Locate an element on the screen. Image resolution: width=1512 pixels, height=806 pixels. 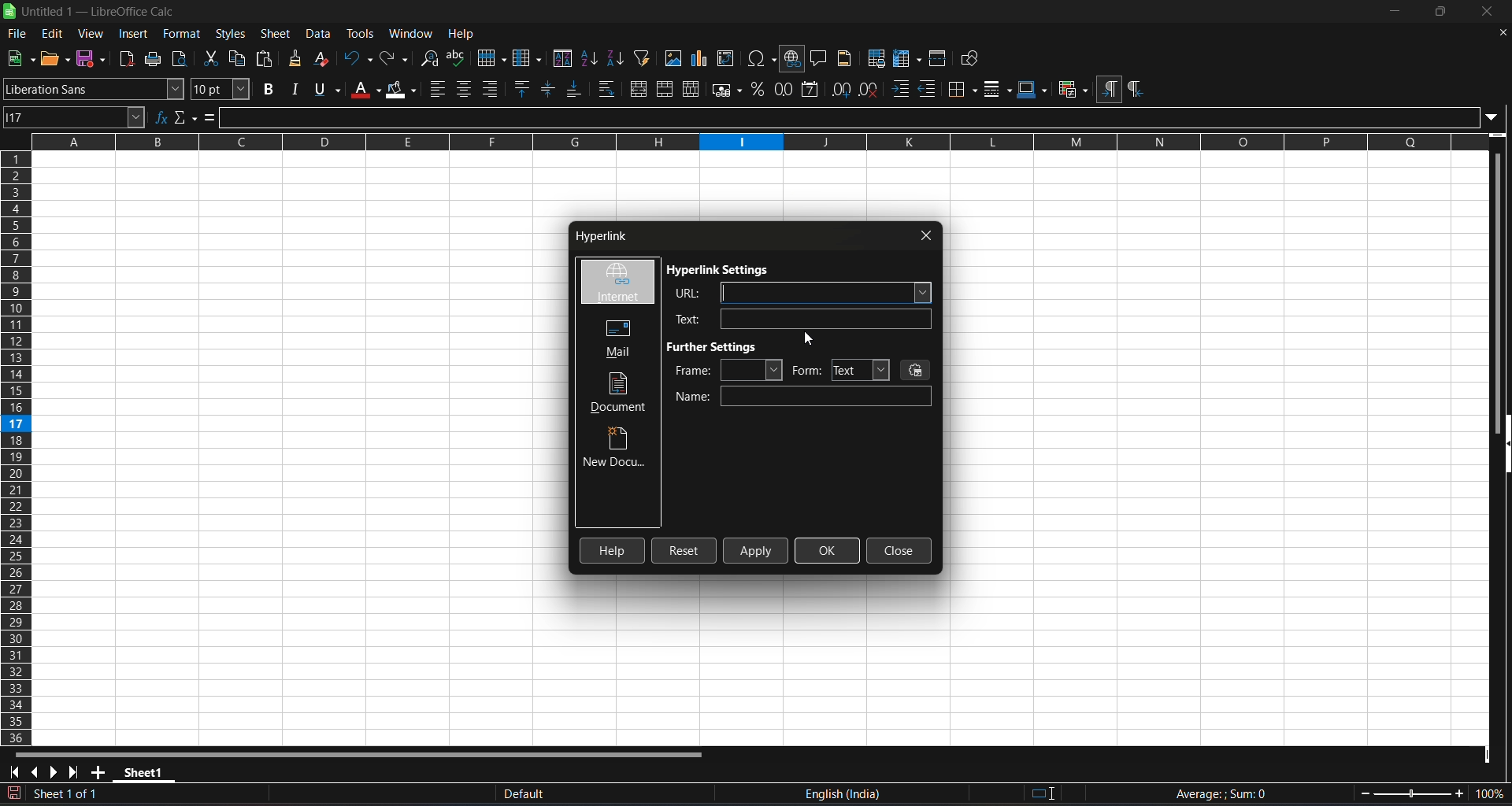
name is located at coordinates (803, 397).